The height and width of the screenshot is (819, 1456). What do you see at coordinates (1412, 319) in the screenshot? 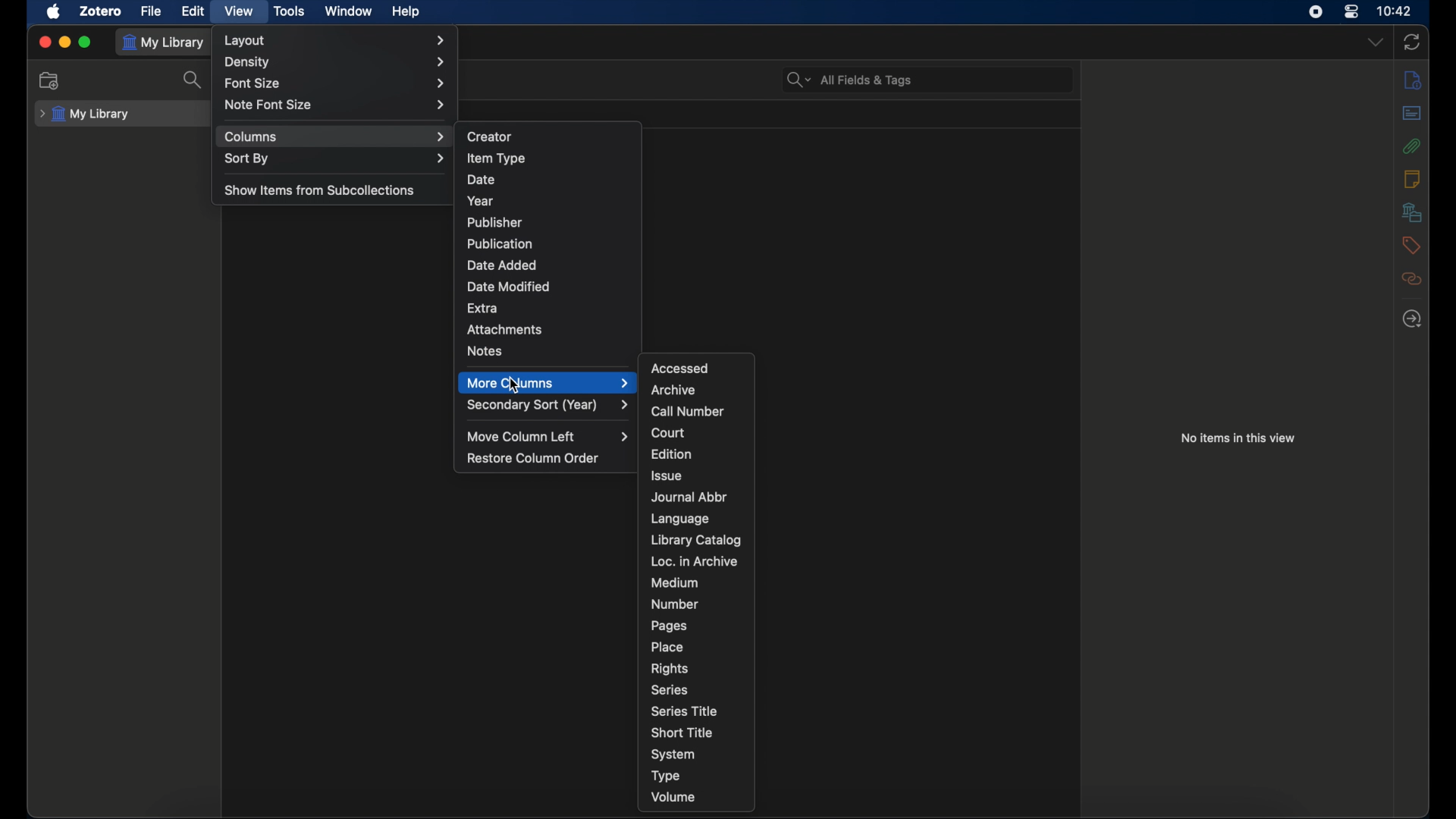
I see `locate` at bounding box center [1412, 319].